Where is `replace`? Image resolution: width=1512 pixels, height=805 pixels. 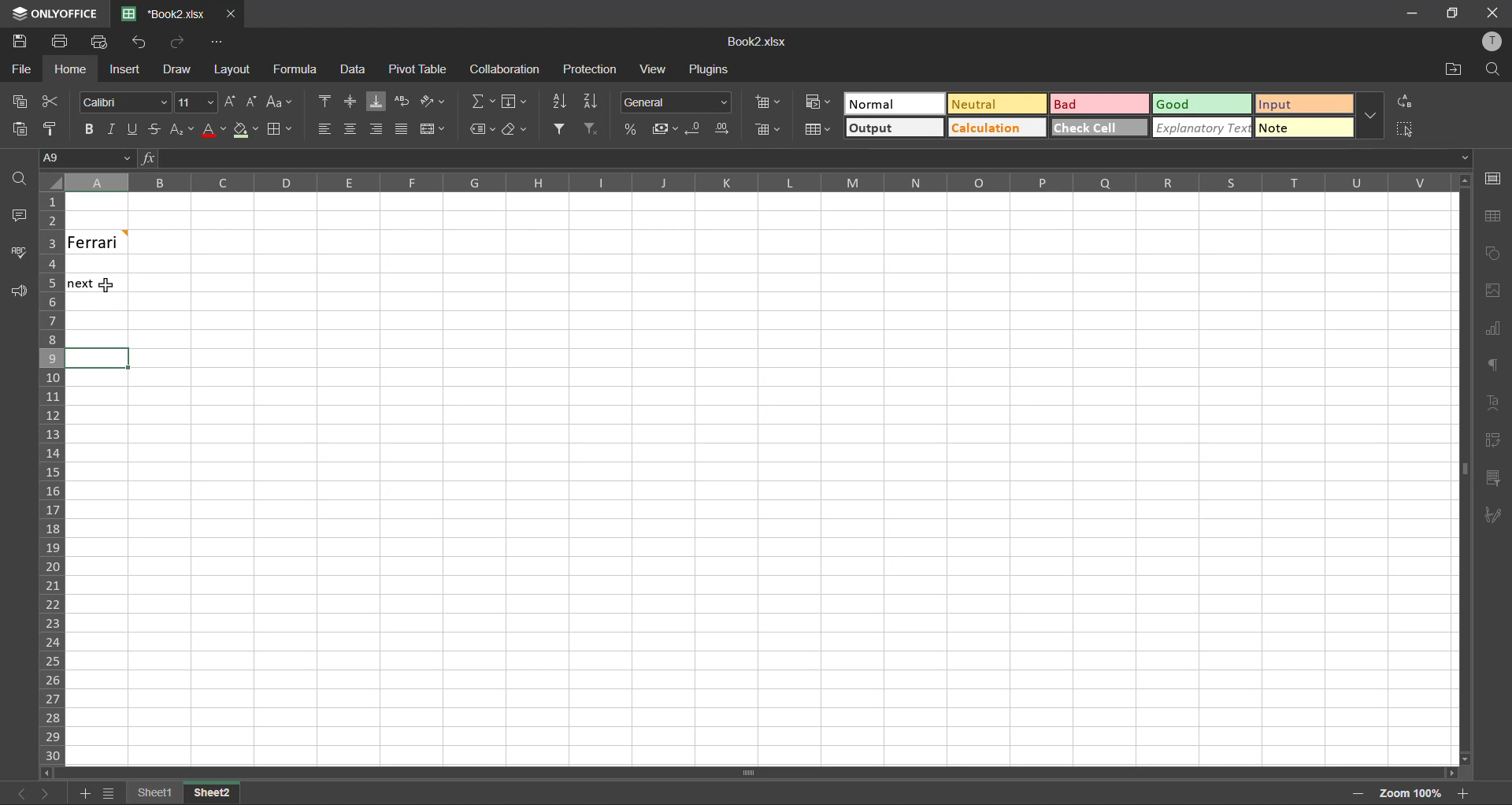 replace is located at coordinates (1407, 101).